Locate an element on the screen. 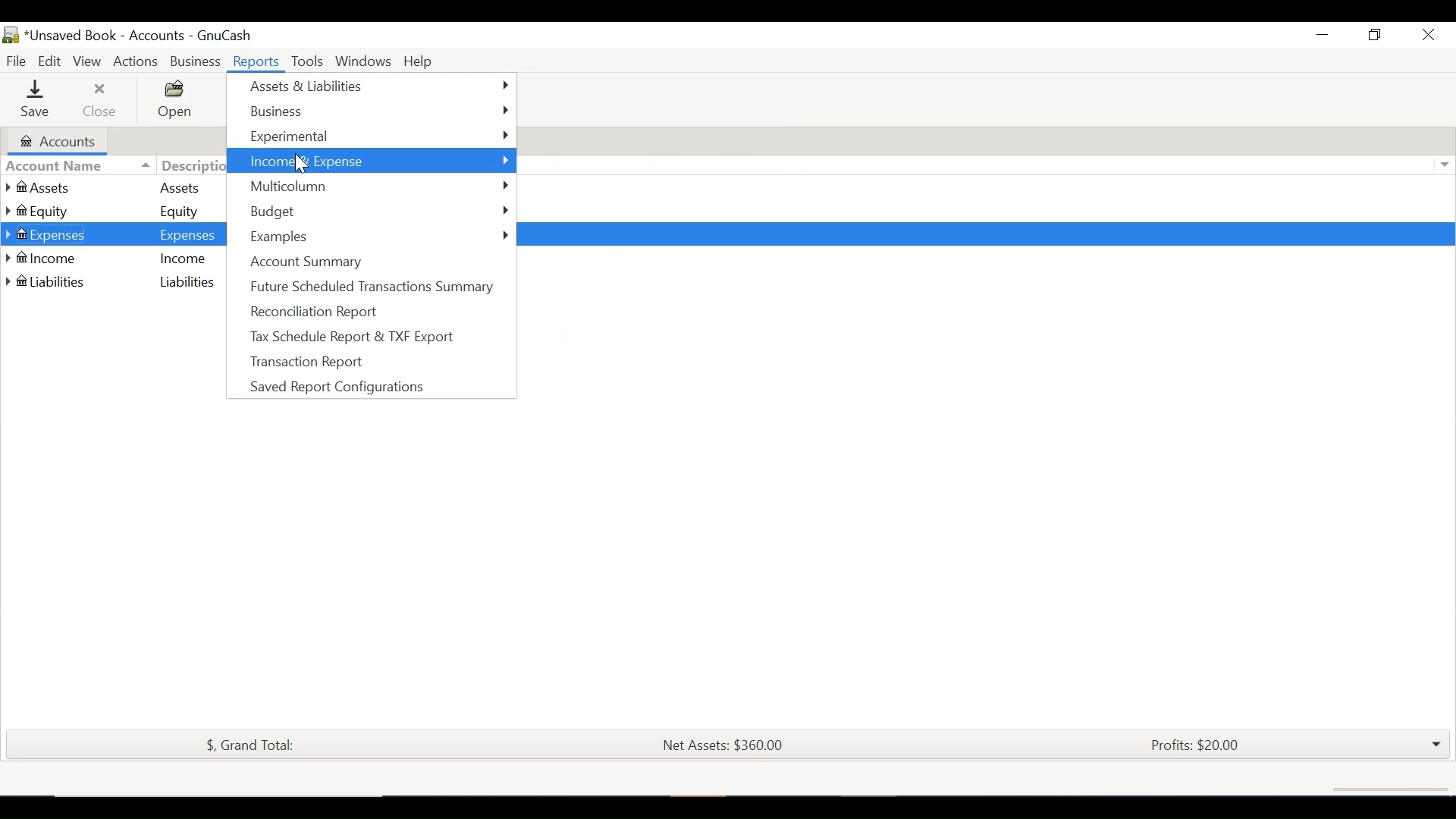 The image size is (1456, 819). Transaction Report is located at coordinates (300, 361).